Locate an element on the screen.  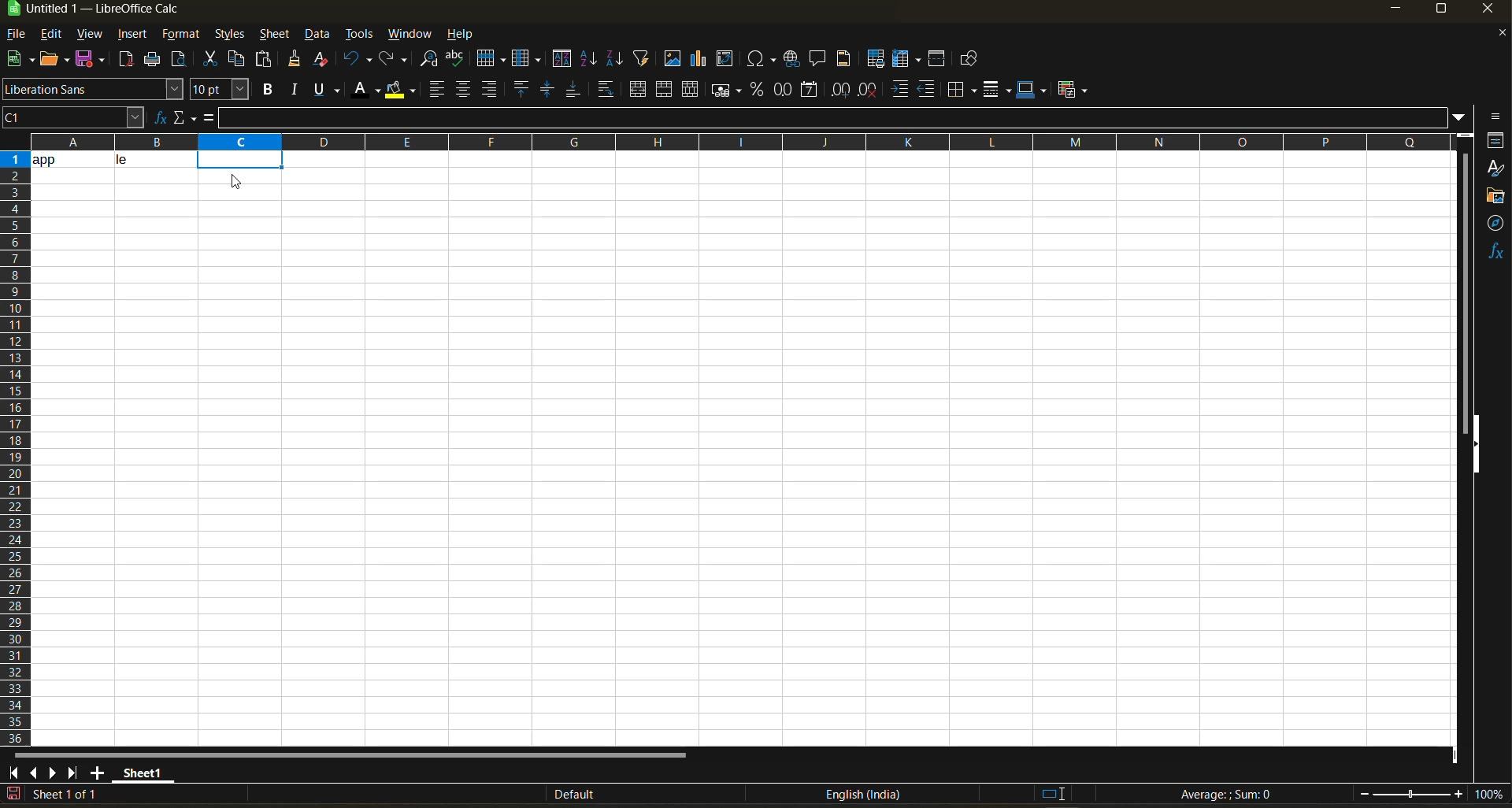
save is located at coordinates (93, 57).